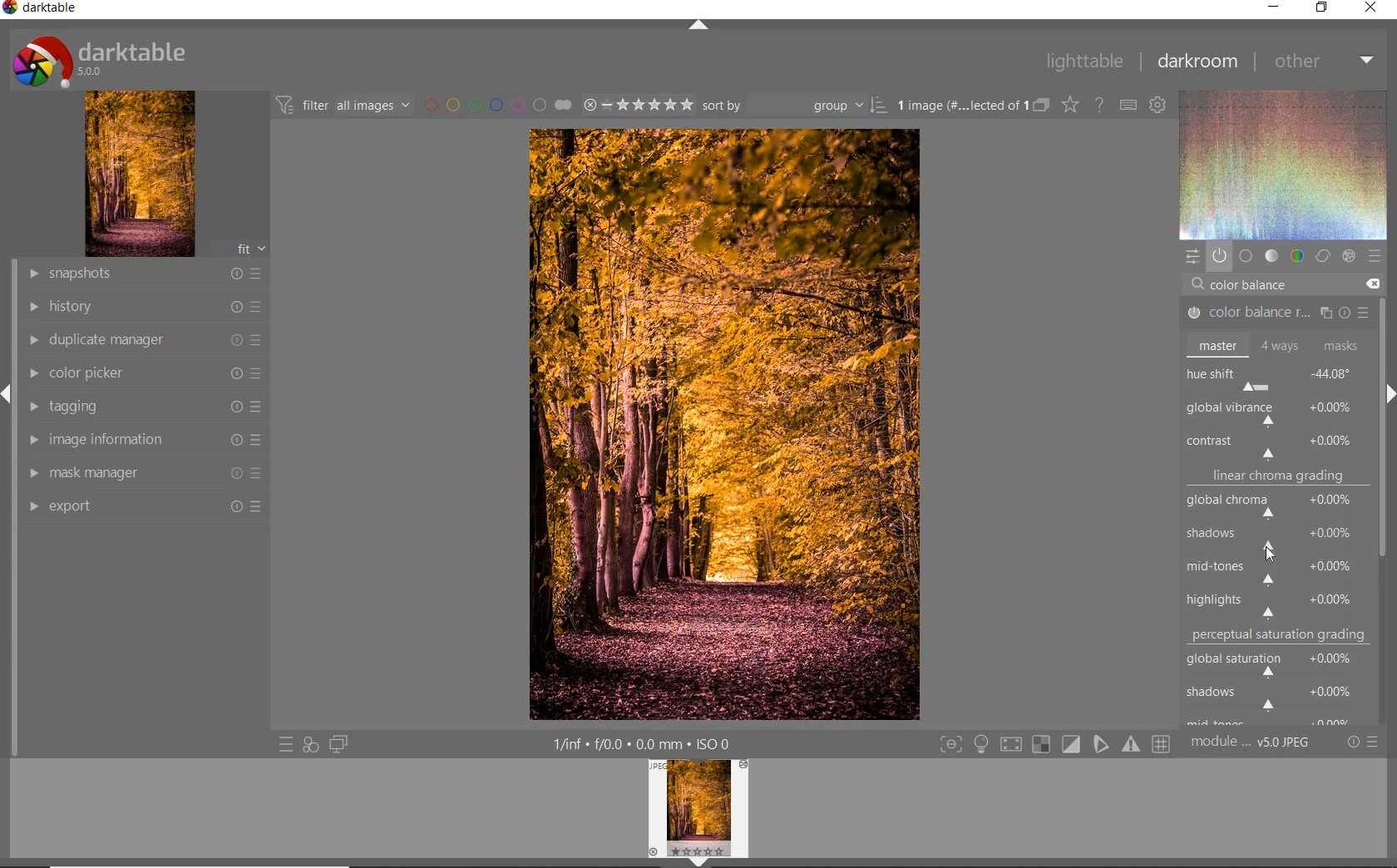  What do you see at coordinates (1275, 540) in the screenshot?
I see `shadows` at bounding box center [1275, 540].